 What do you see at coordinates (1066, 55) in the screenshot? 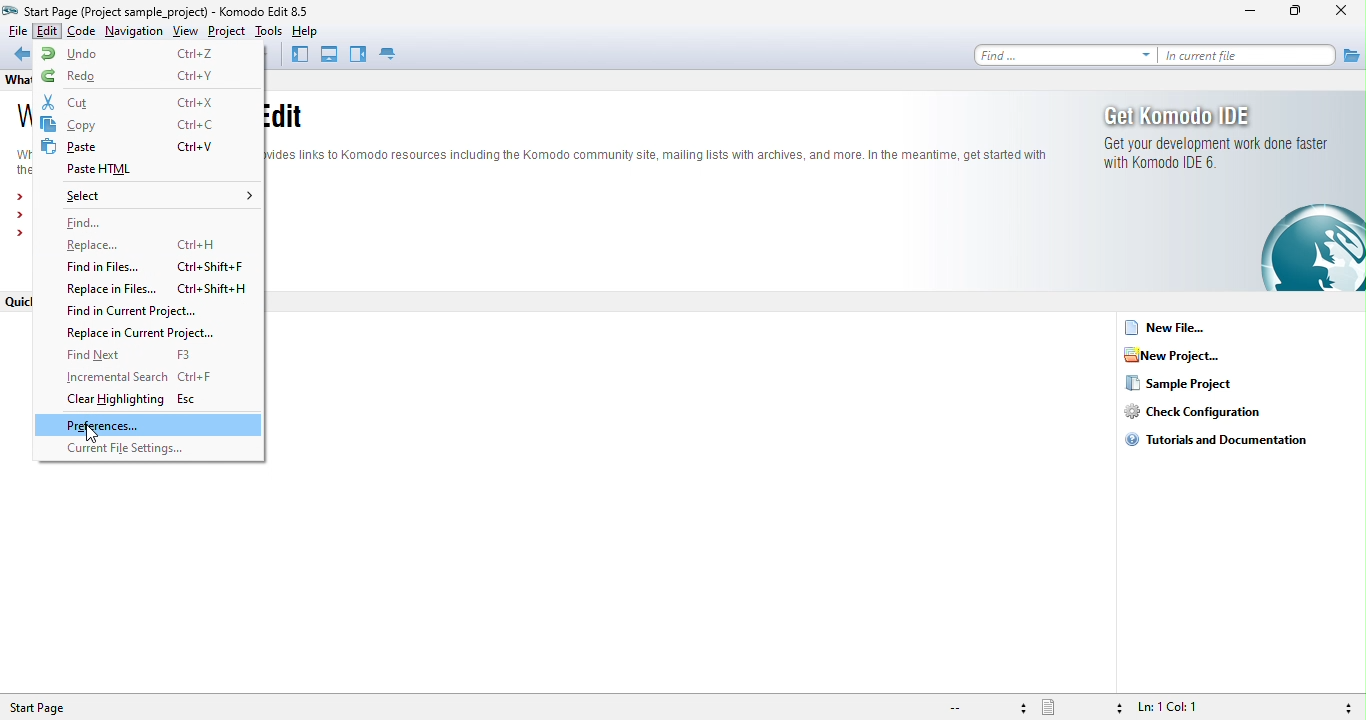
I see `find` at bounding box center [1066, 55].